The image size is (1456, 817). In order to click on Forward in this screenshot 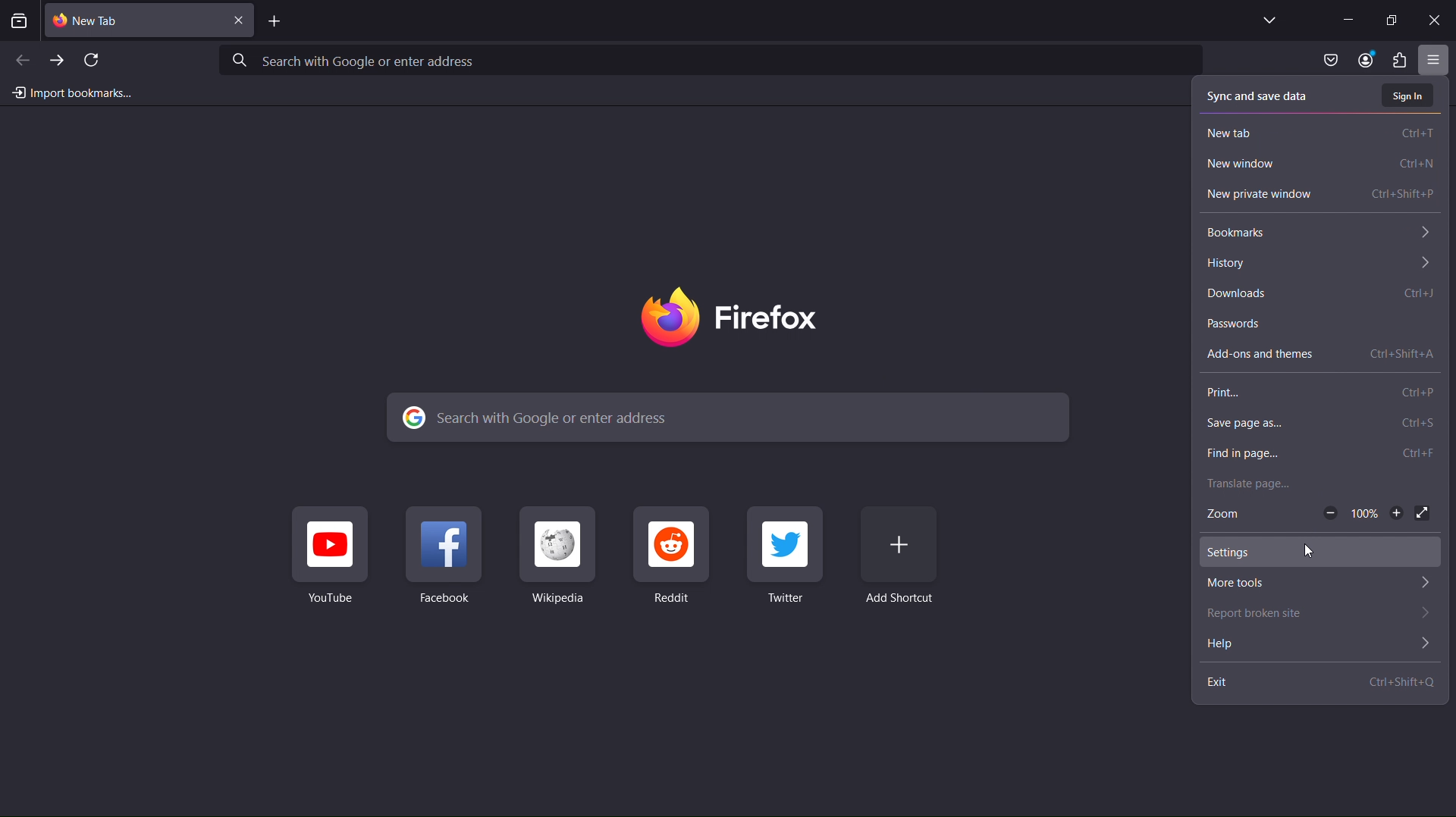, I will do `click(55, 62)`.